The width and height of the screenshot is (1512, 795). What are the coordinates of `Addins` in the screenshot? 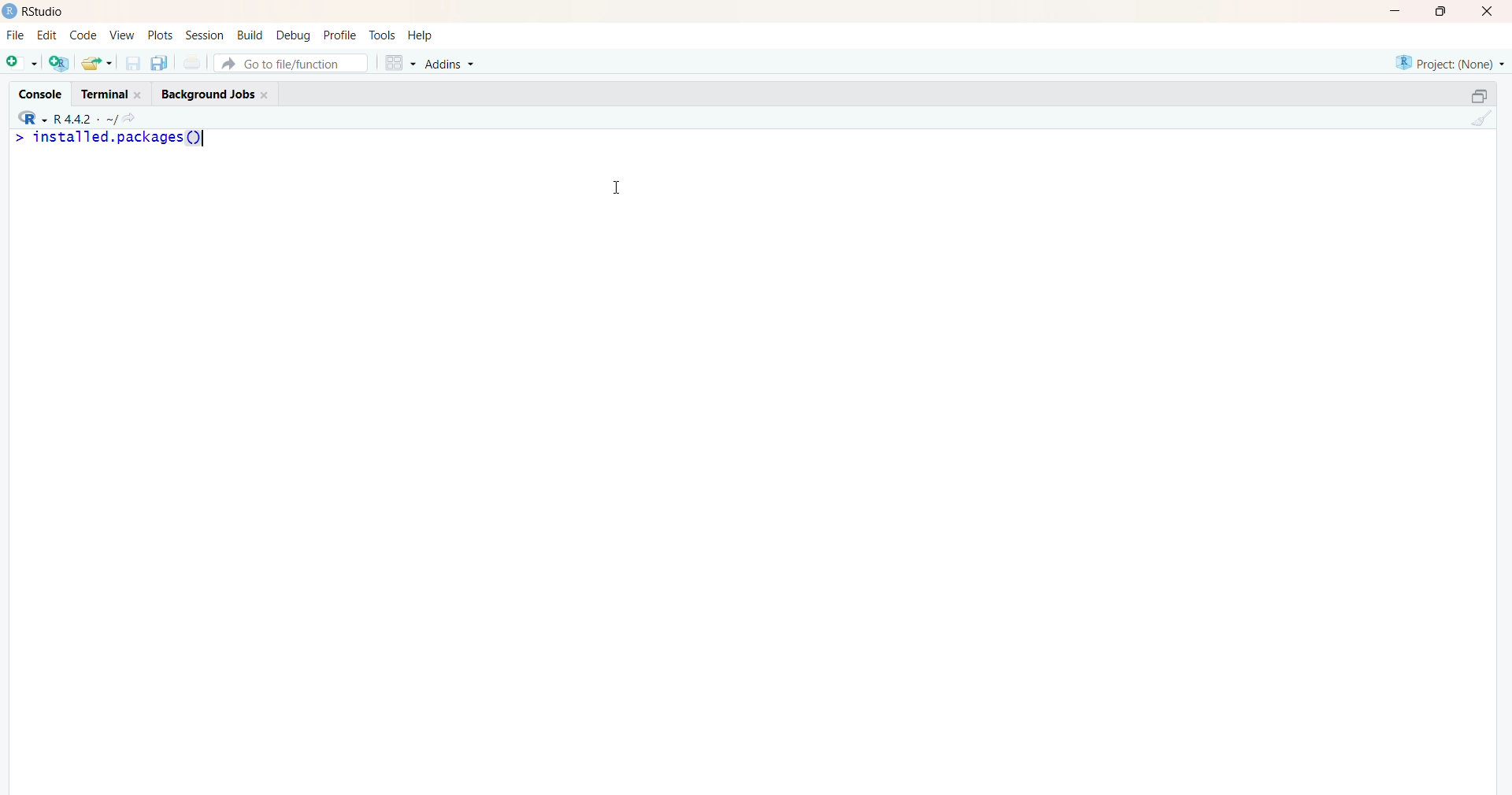 It's located at (453, 65).